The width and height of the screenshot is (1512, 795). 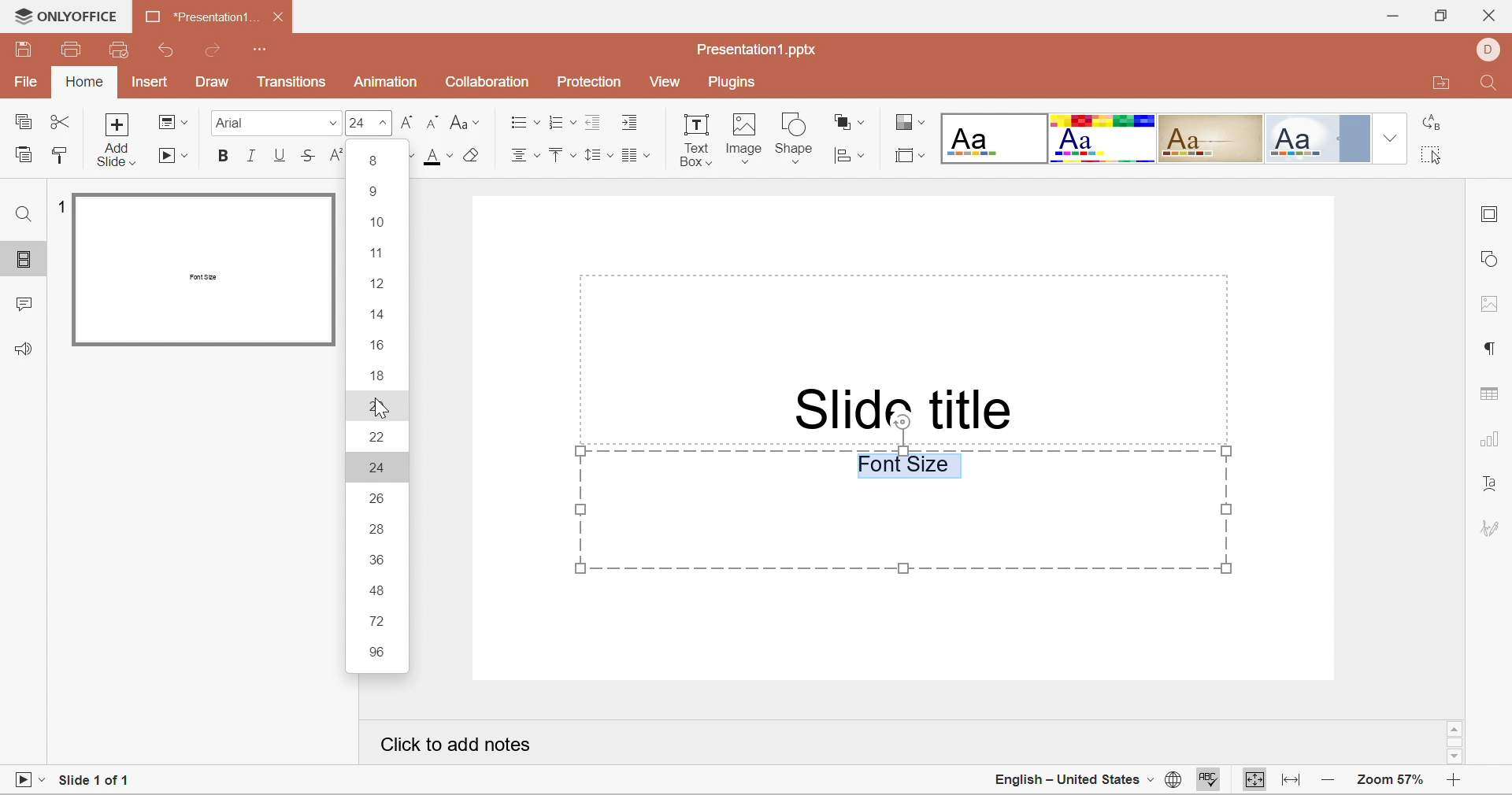 I want to click on Bullets, so click(x=524, y=122).